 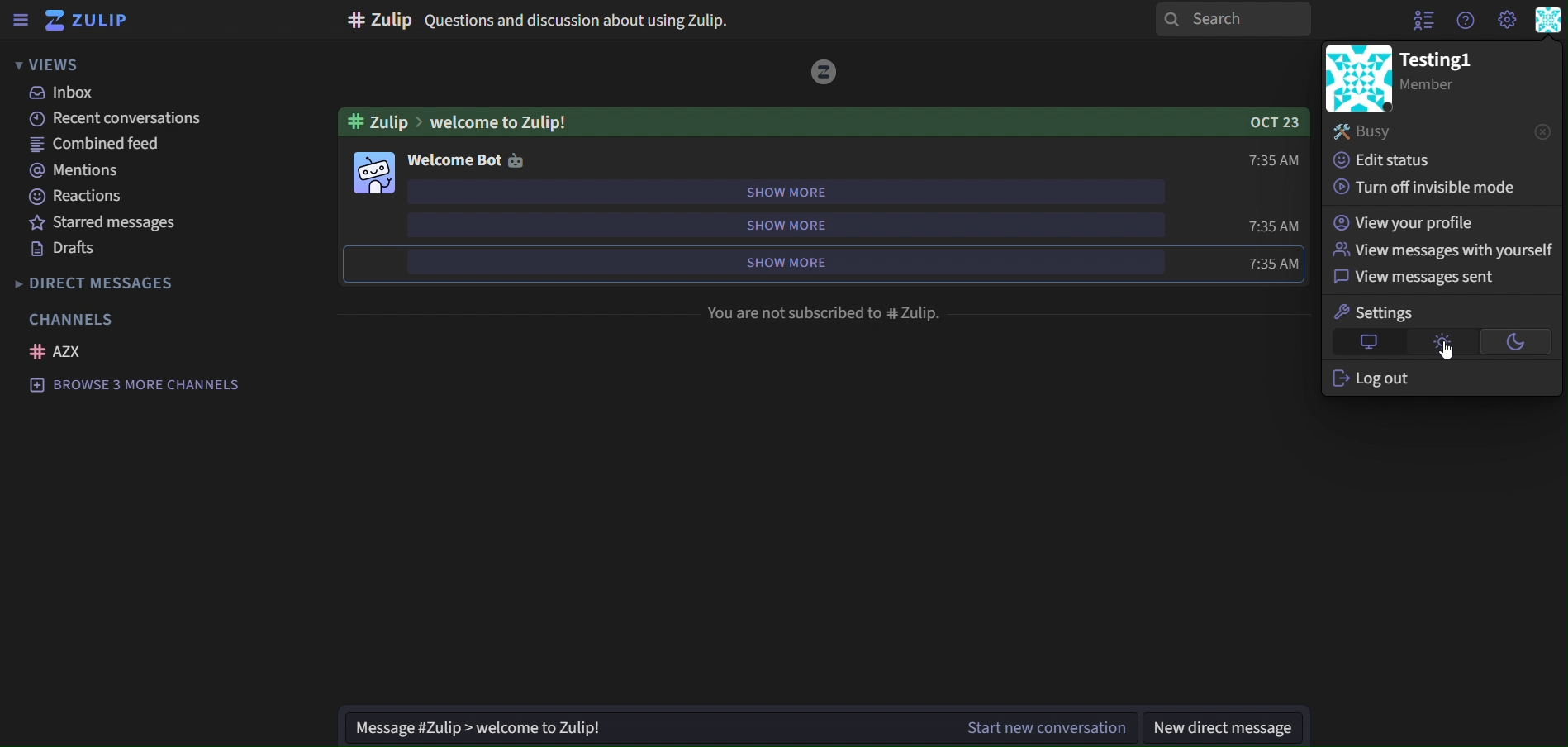 I want to click on image, so click(x=1361, y=78).